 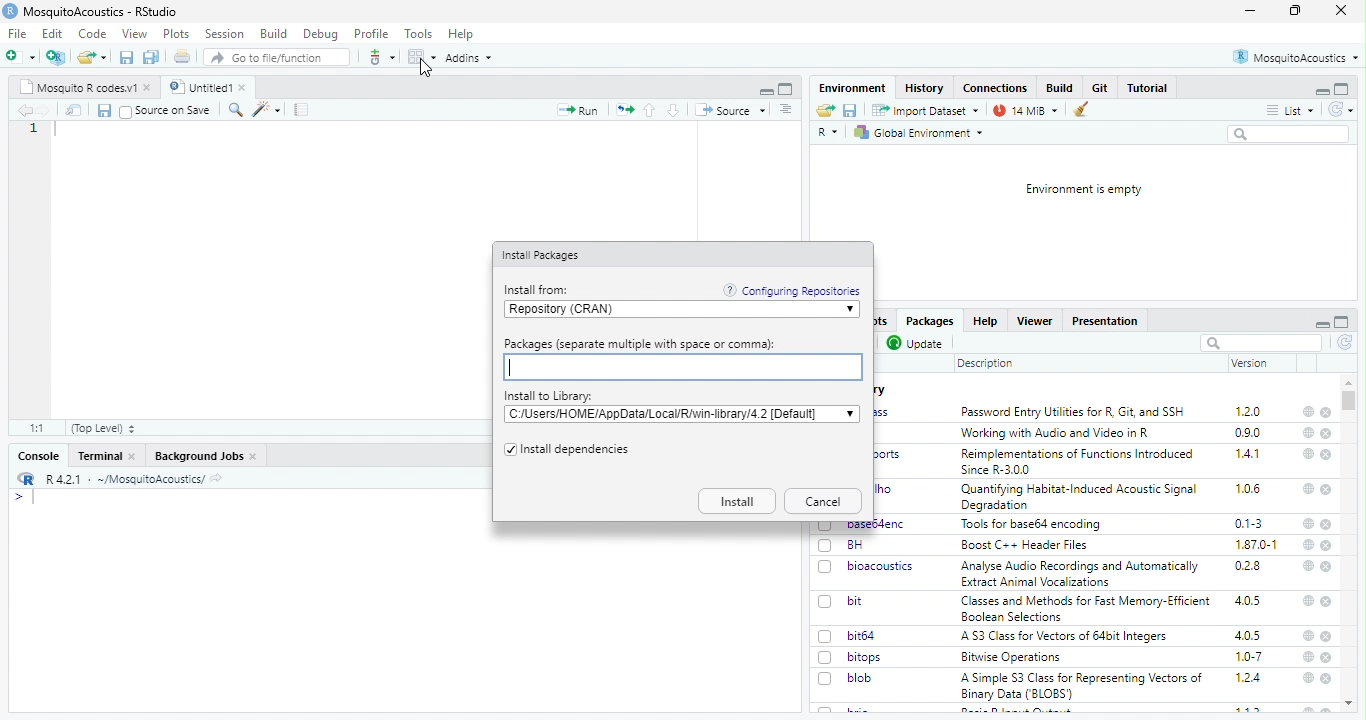 What do you see at coordinates (136, 34) in the screenshot?
I see `View` at bounding box center [136, 34].